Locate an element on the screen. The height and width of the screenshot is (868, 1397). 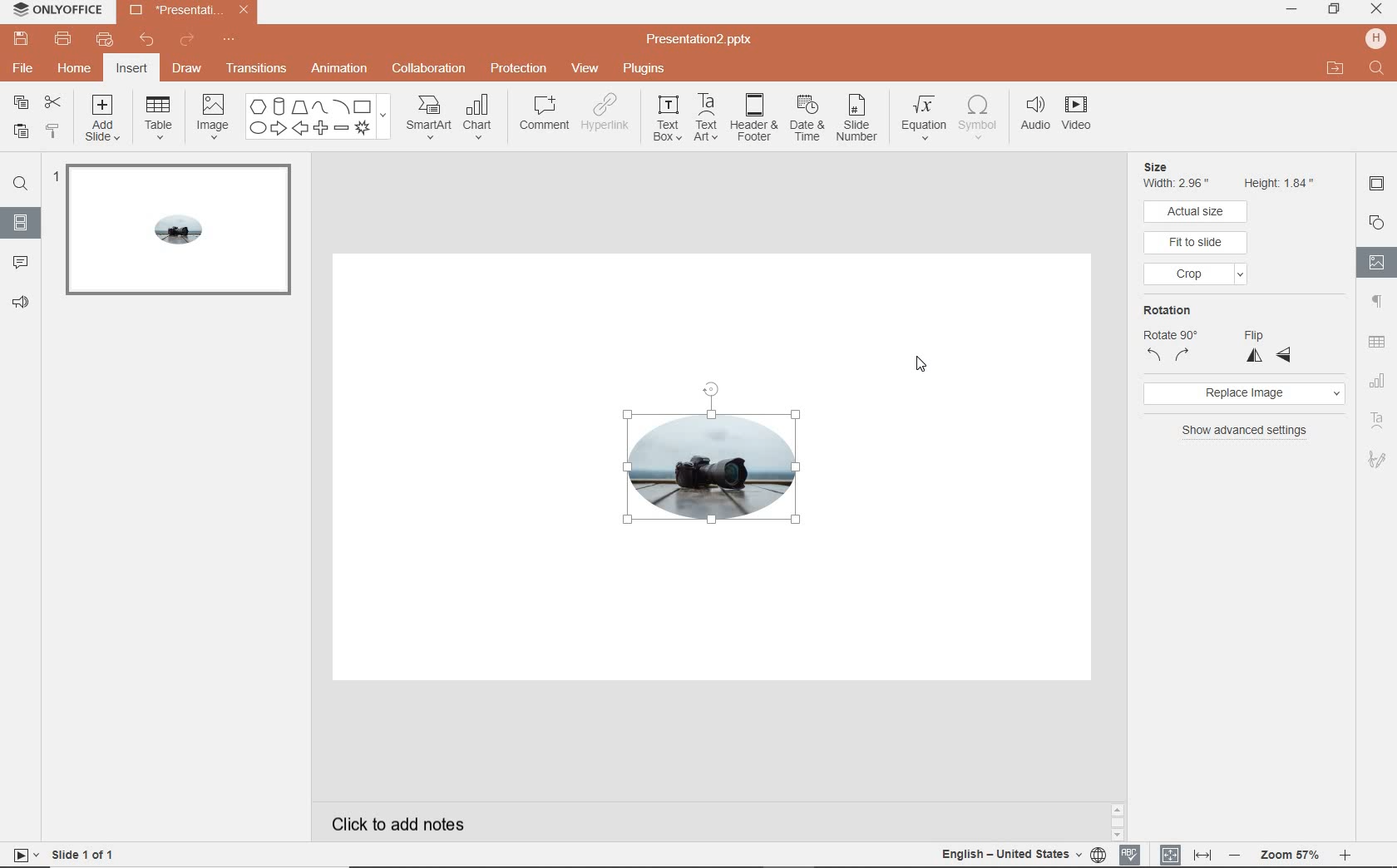
animation is located at coordinates (340, 69).